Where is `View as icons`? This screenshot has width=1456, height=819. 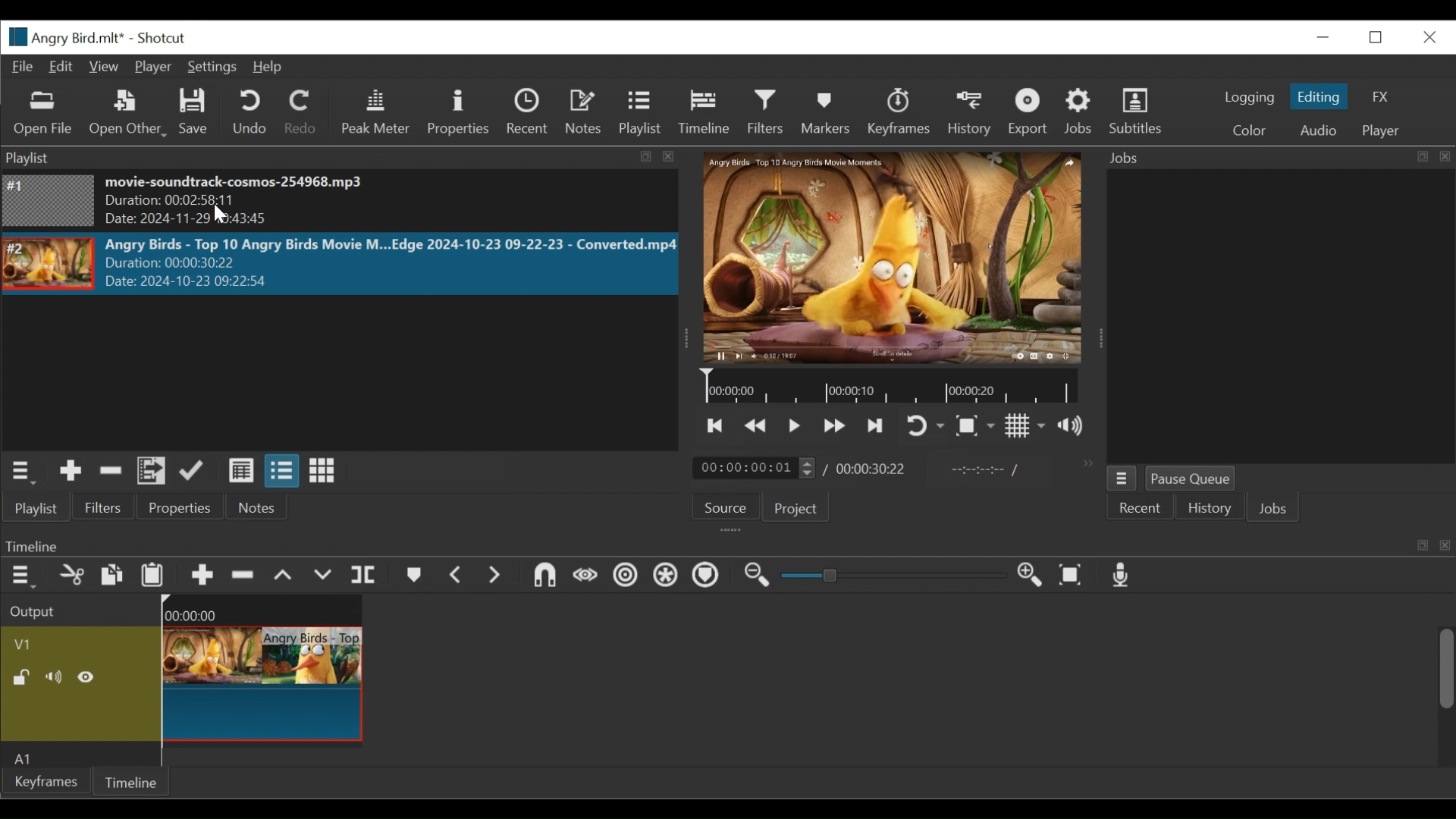
View as icons is located at coordinates (322, 471).